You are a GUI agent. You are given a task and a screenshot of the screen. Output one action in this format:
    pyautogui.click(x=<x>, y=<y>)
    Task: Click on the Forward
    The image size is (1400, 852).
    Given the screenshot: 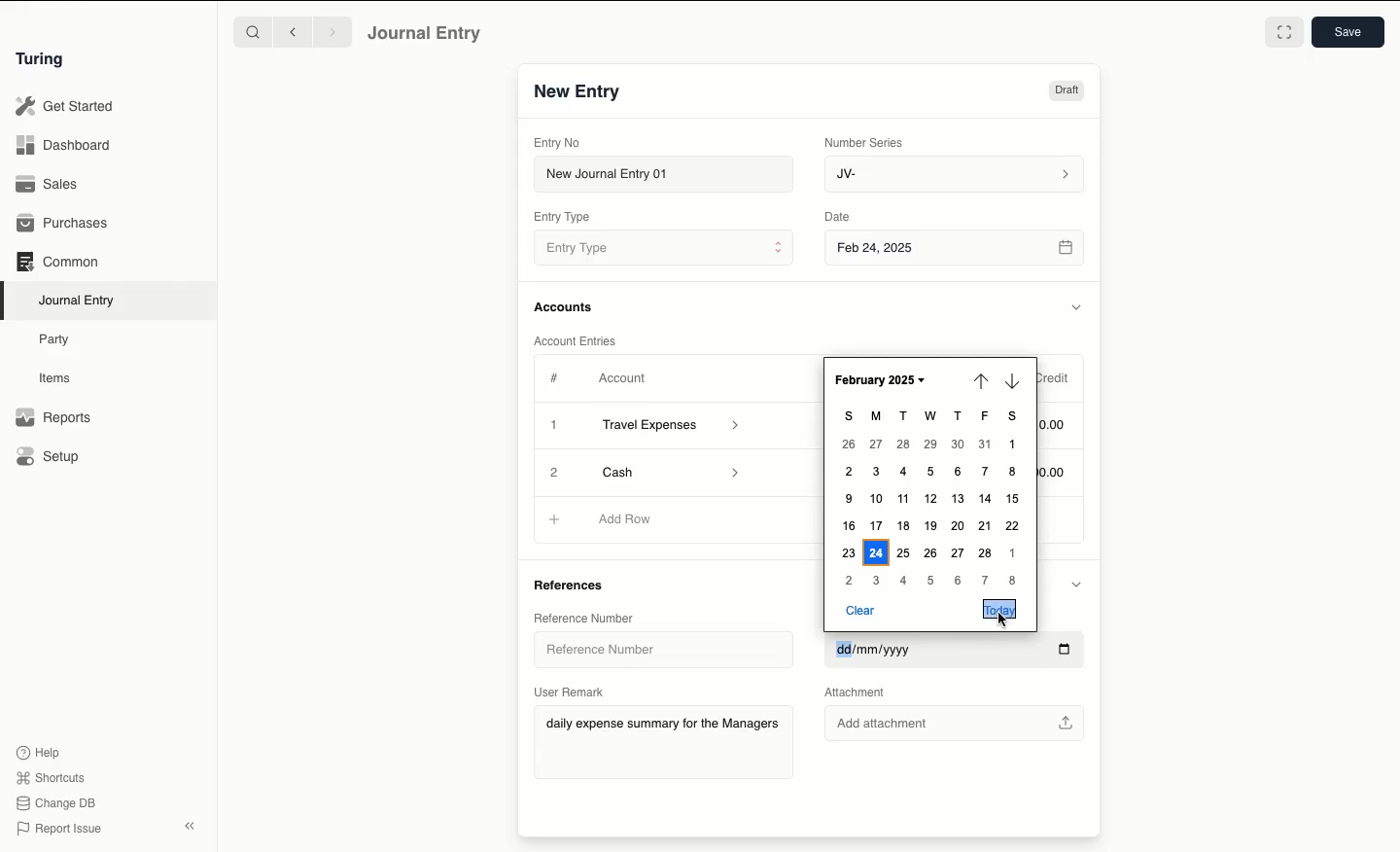 What is the action you would take?
    pyautogui.click(x=333, y=31)
    